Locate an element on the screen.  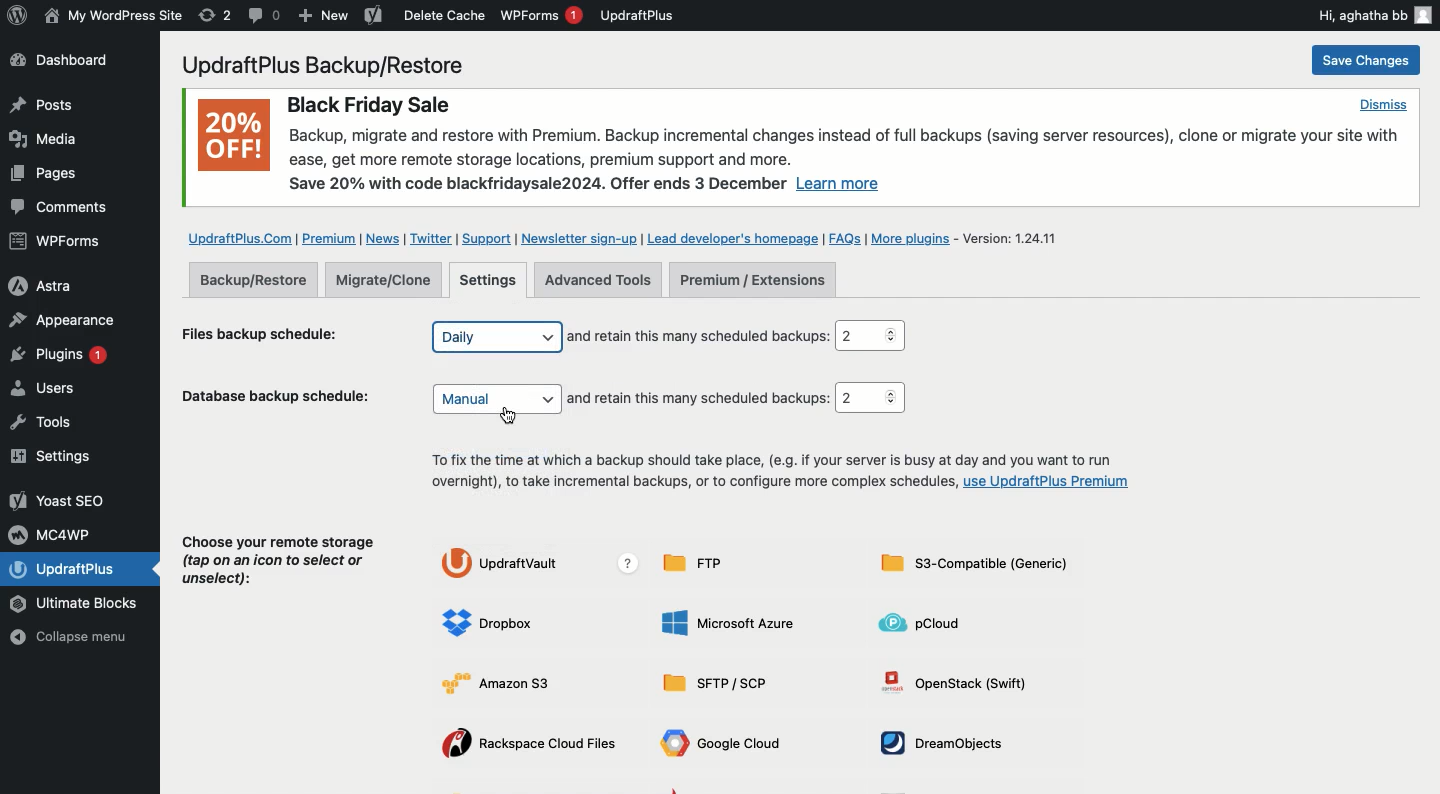
Comments is located at coordinates (62, 208).